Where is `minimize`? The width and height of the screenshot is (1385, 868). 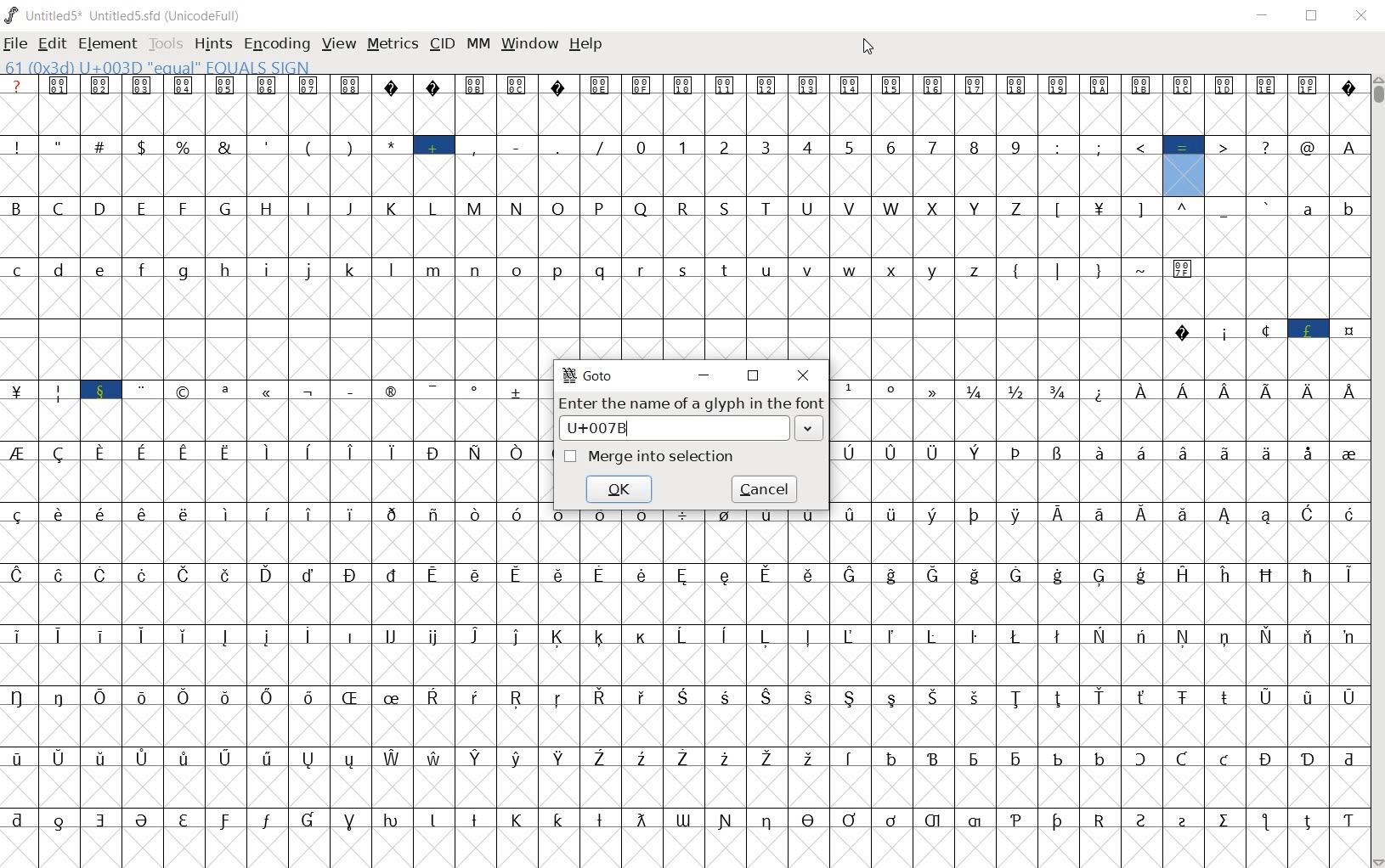
minimize is located at coordinates (1266, 16).